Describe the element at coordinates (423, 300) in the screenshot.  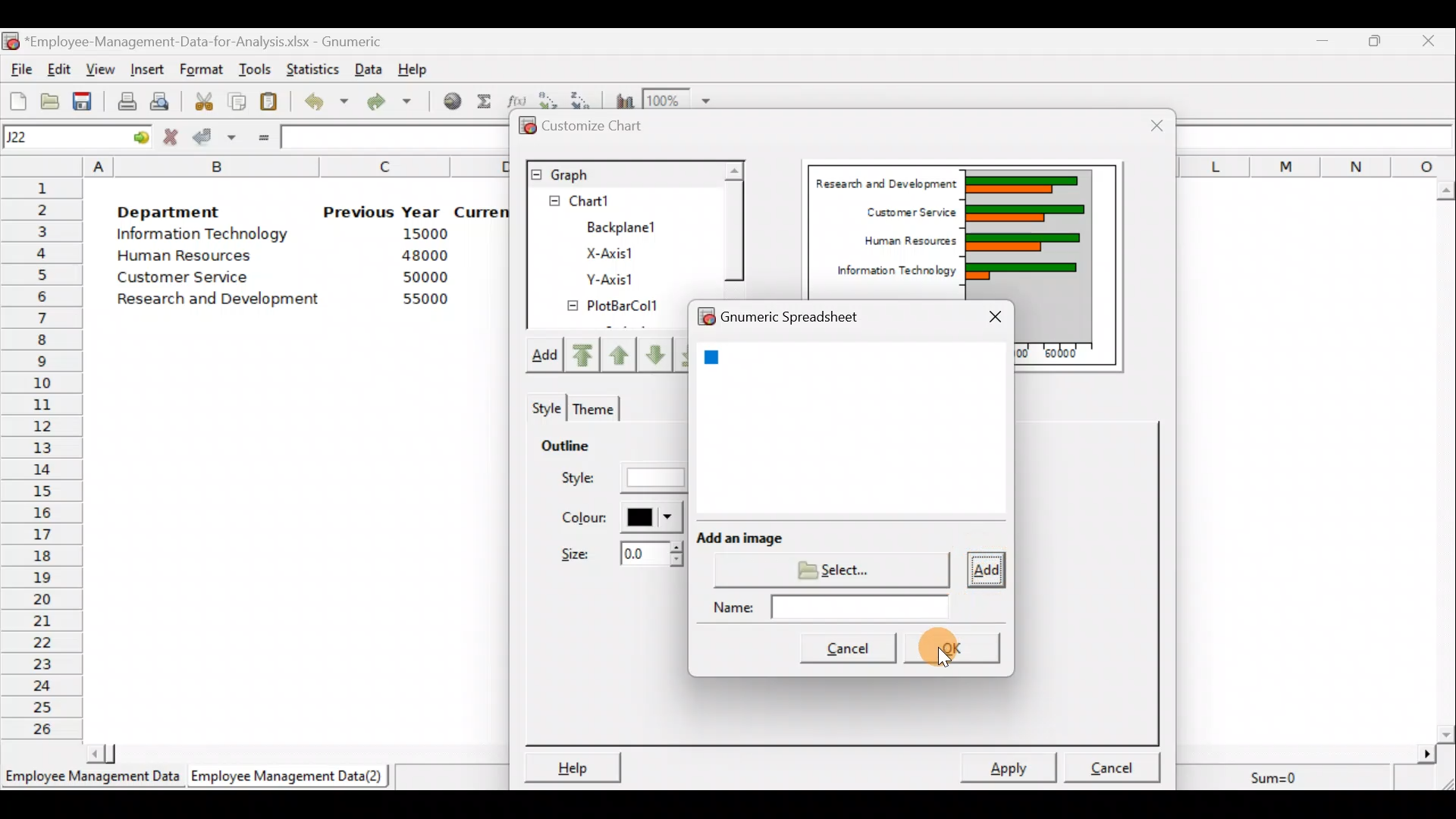
I see `55000` at that location.